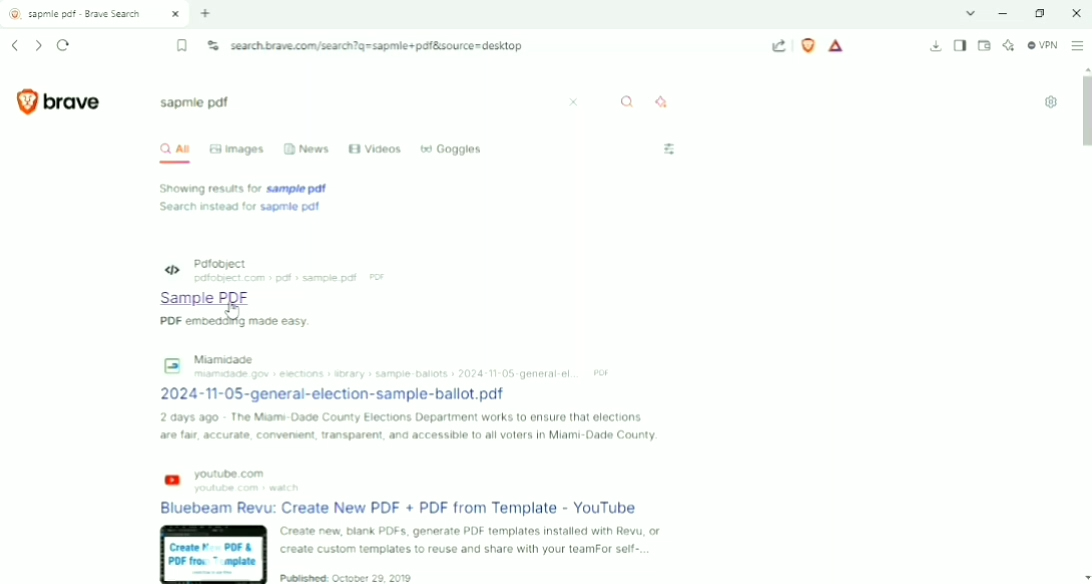 Image resolution: width=1092 pixels, height=584 pixels. Describe the element at coordinates (357, 578) in the screenshot. I see `| Published October 29, 2019` at that location.